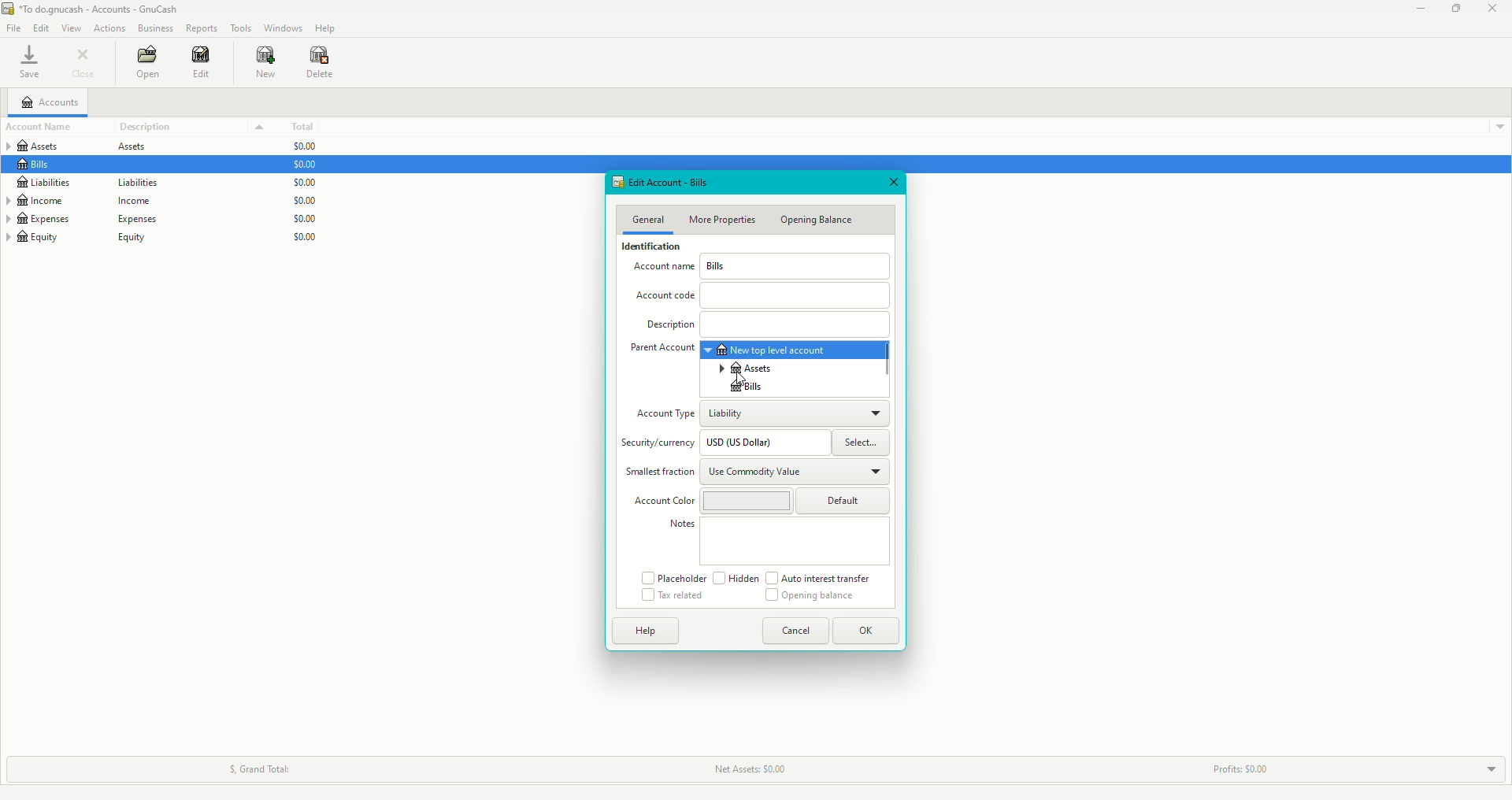 Image resolution: width=1512 pixels, height=800 pixels. I want to click on Drop down, so click(1488, 770).